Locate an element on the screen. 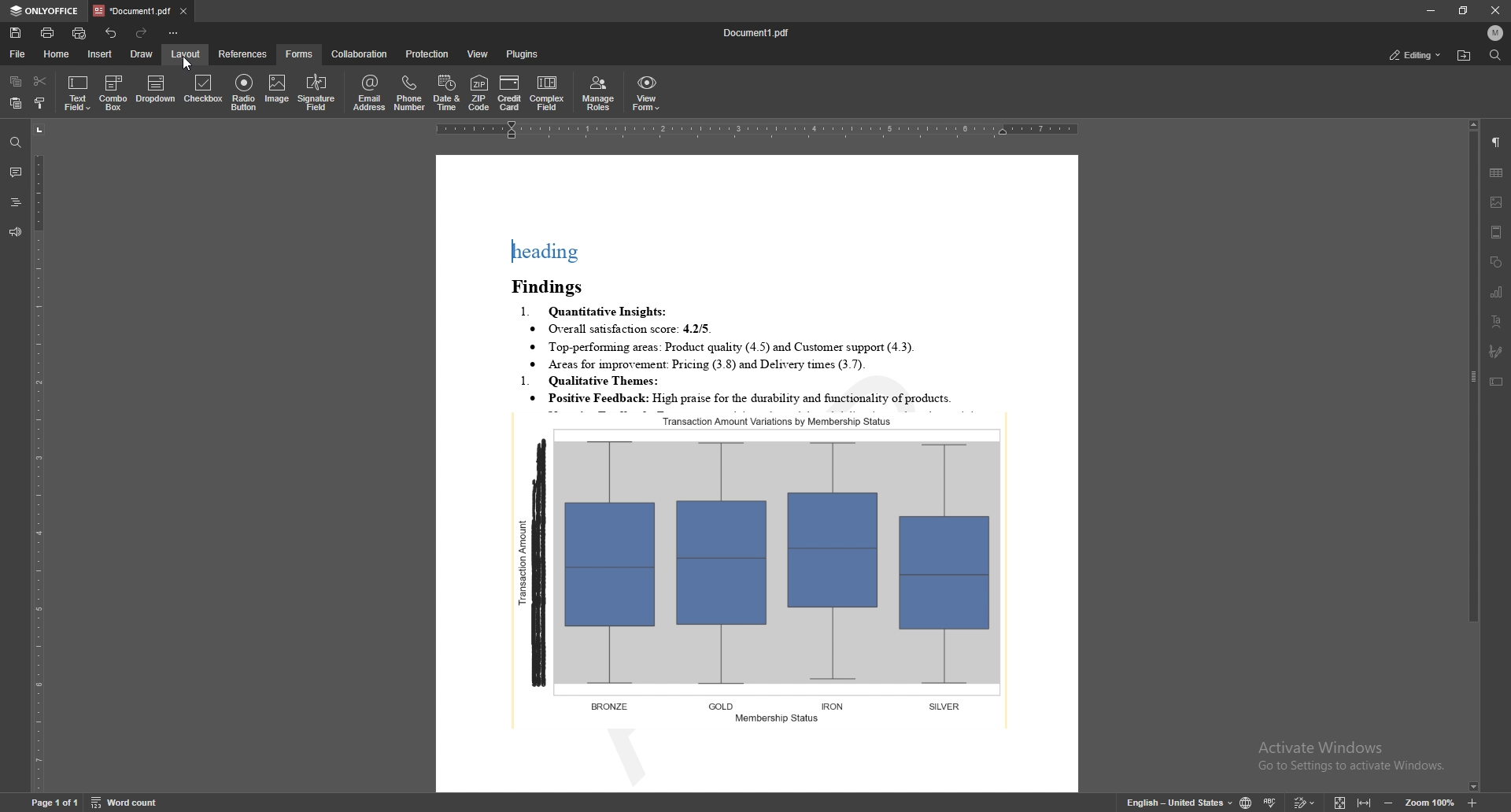 The width and height of the screenshot is (1511, 812). close is located at coordinates (1492, 10).